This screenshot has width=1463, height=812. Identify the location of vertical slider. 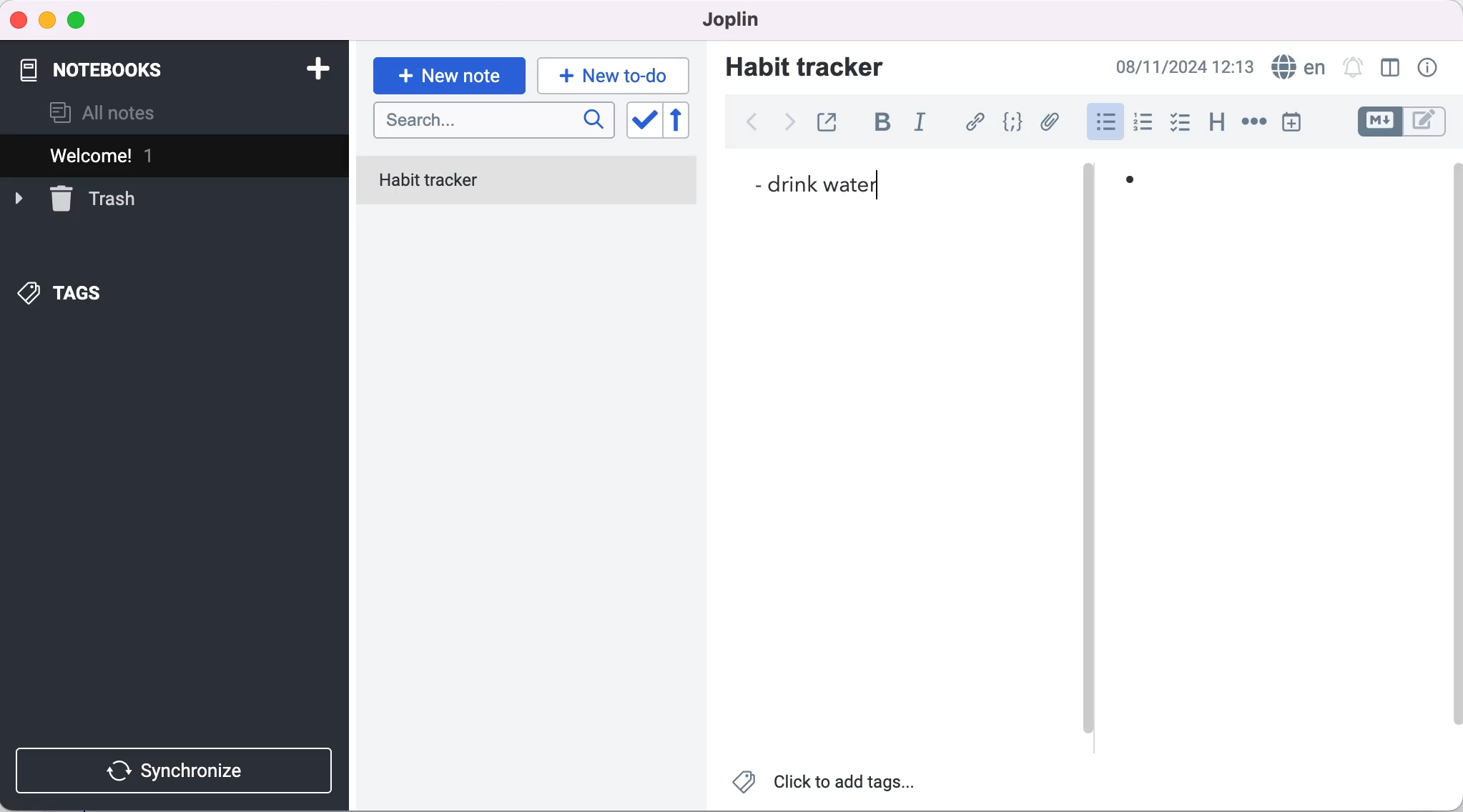
(1088, 450).